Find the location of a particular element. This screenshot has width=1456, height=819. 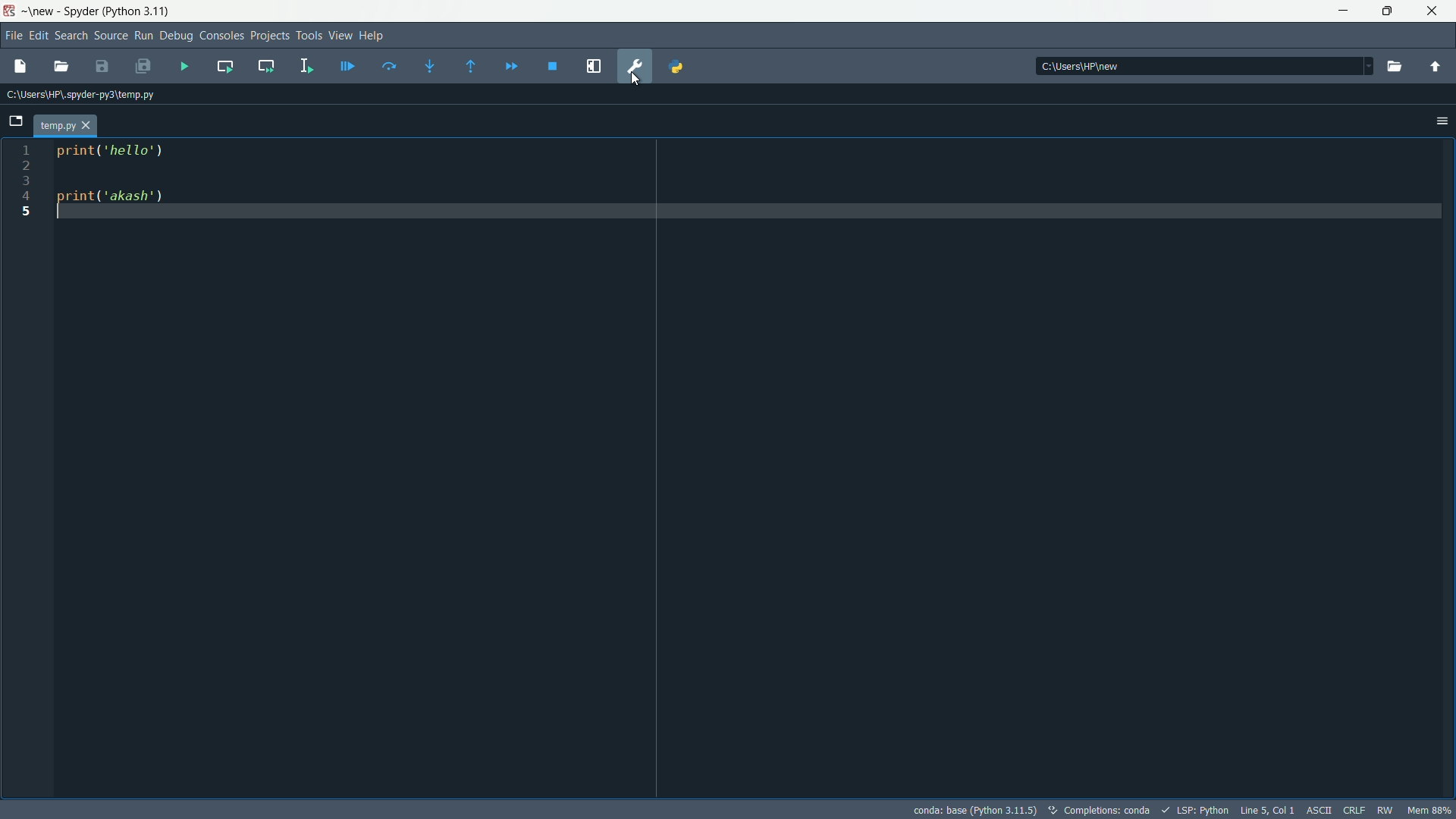

tools menu is located at coordinates (310, 36).